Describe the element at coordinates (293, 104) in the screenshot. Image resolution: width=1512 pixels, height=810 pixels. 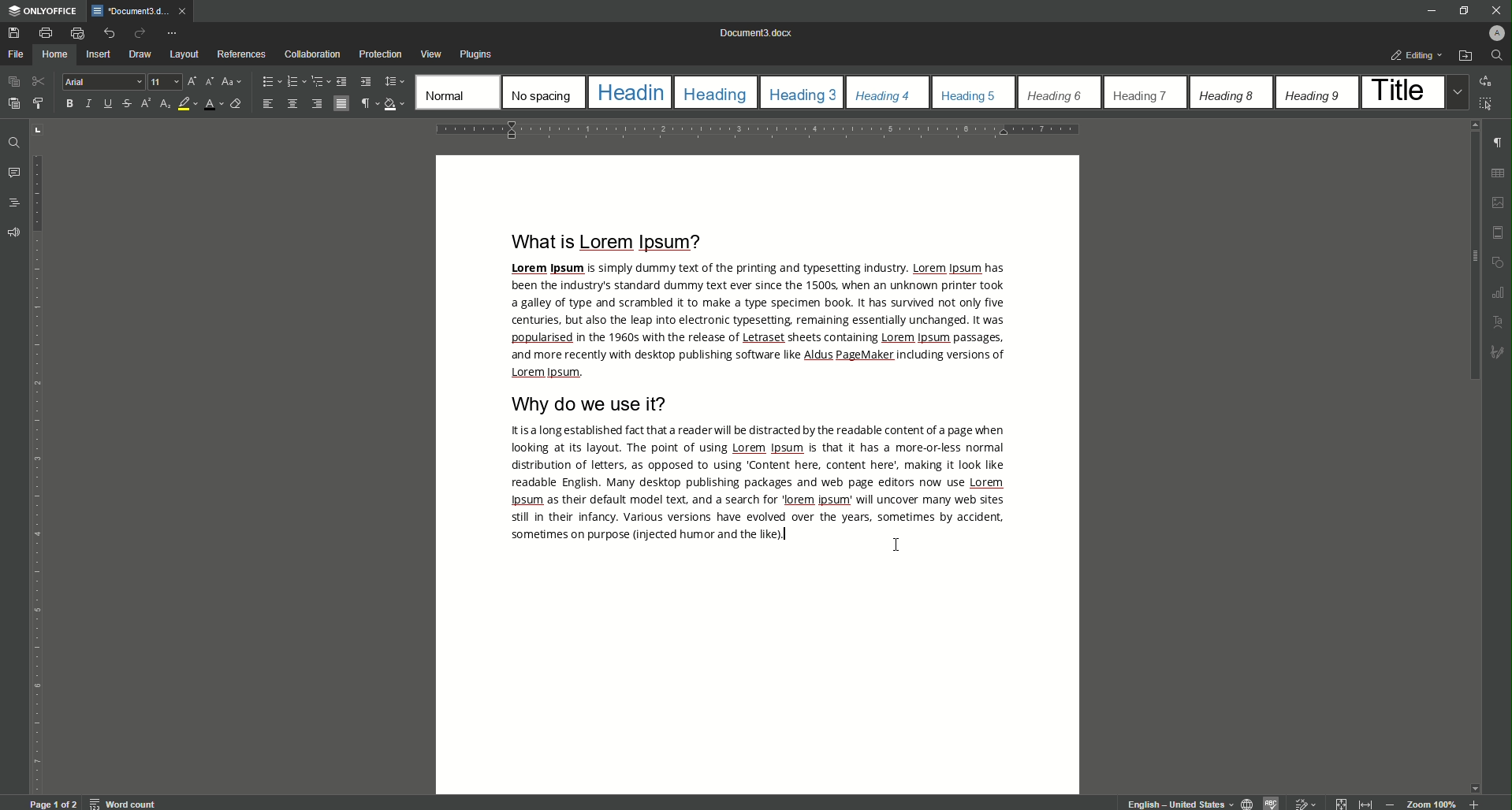
I see `Align Center` at that location.